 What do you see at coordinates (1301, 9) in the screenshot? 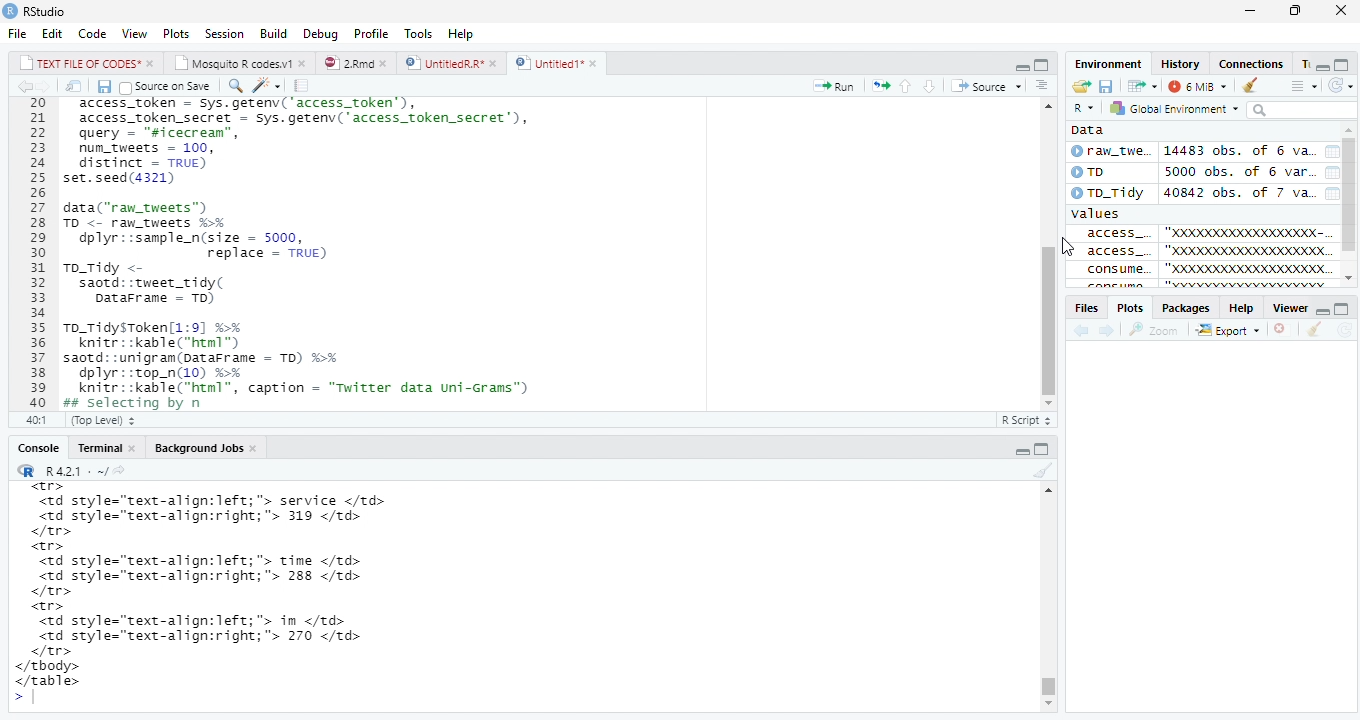
I see `maximize` at bounding box center [1301, 9].